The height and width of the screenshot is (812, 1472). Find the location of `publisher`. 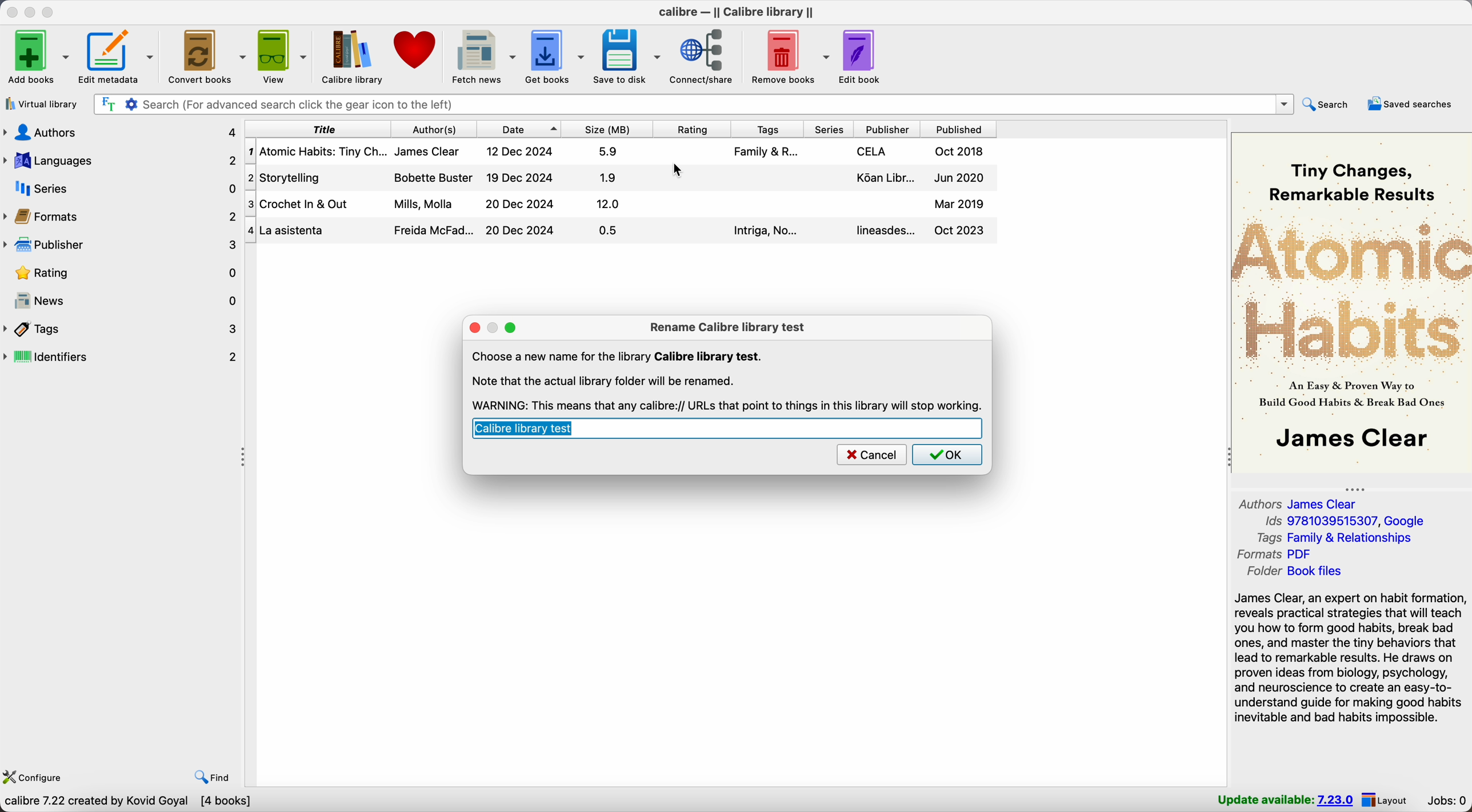

publisher is located at coordinates (887, 130).